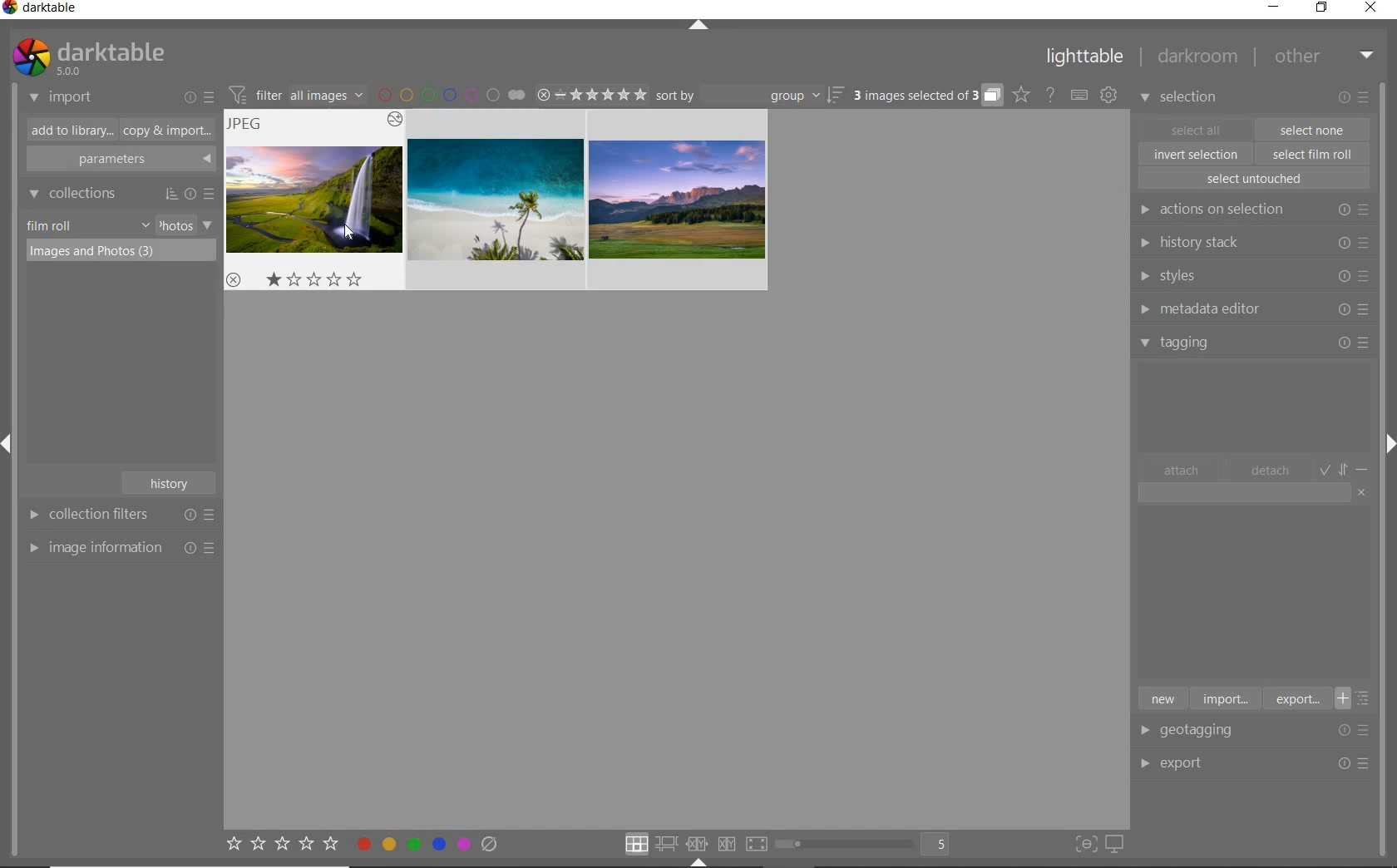 Image resolution: width=1397 pixels, height=868 pixels. What do you see at coordinates (926, 96) in the screenshot?
I see `expand grouped images` at bounding box center [926, 96].